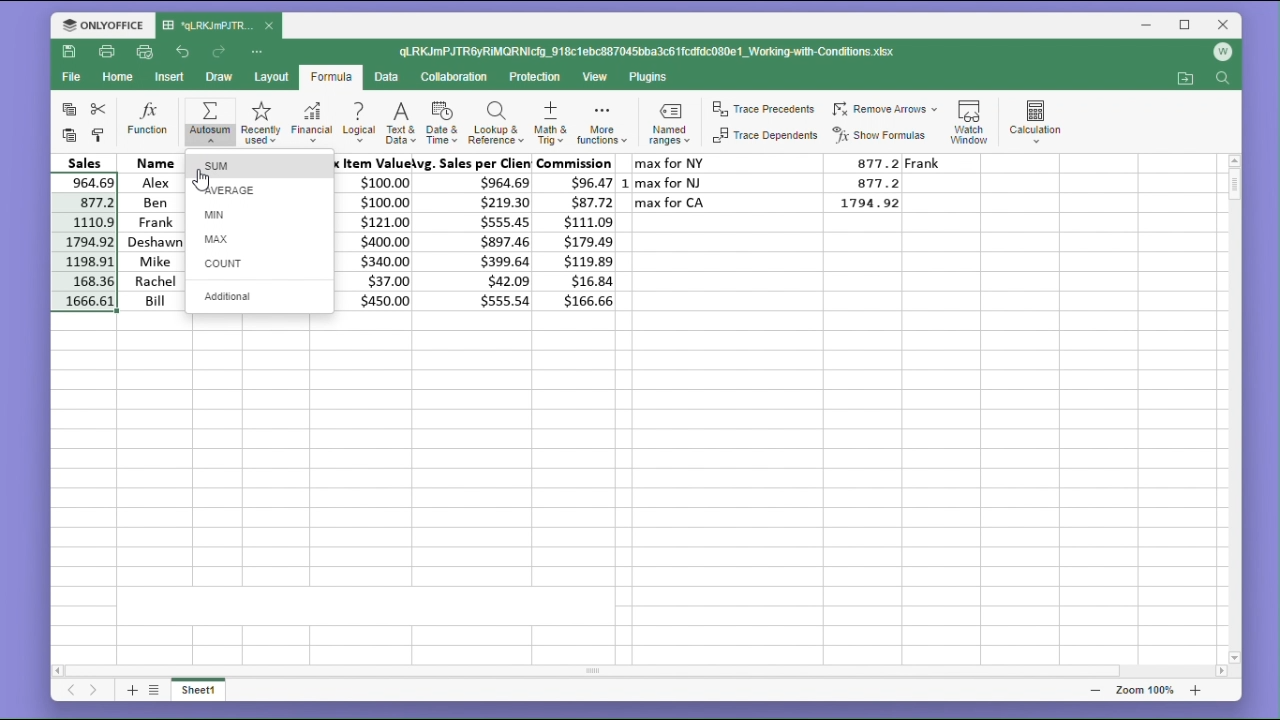 Image resolution: width=1280 pixels, height=720 pixels. I want to click on max for NJ 877.2, so click(774, 182).